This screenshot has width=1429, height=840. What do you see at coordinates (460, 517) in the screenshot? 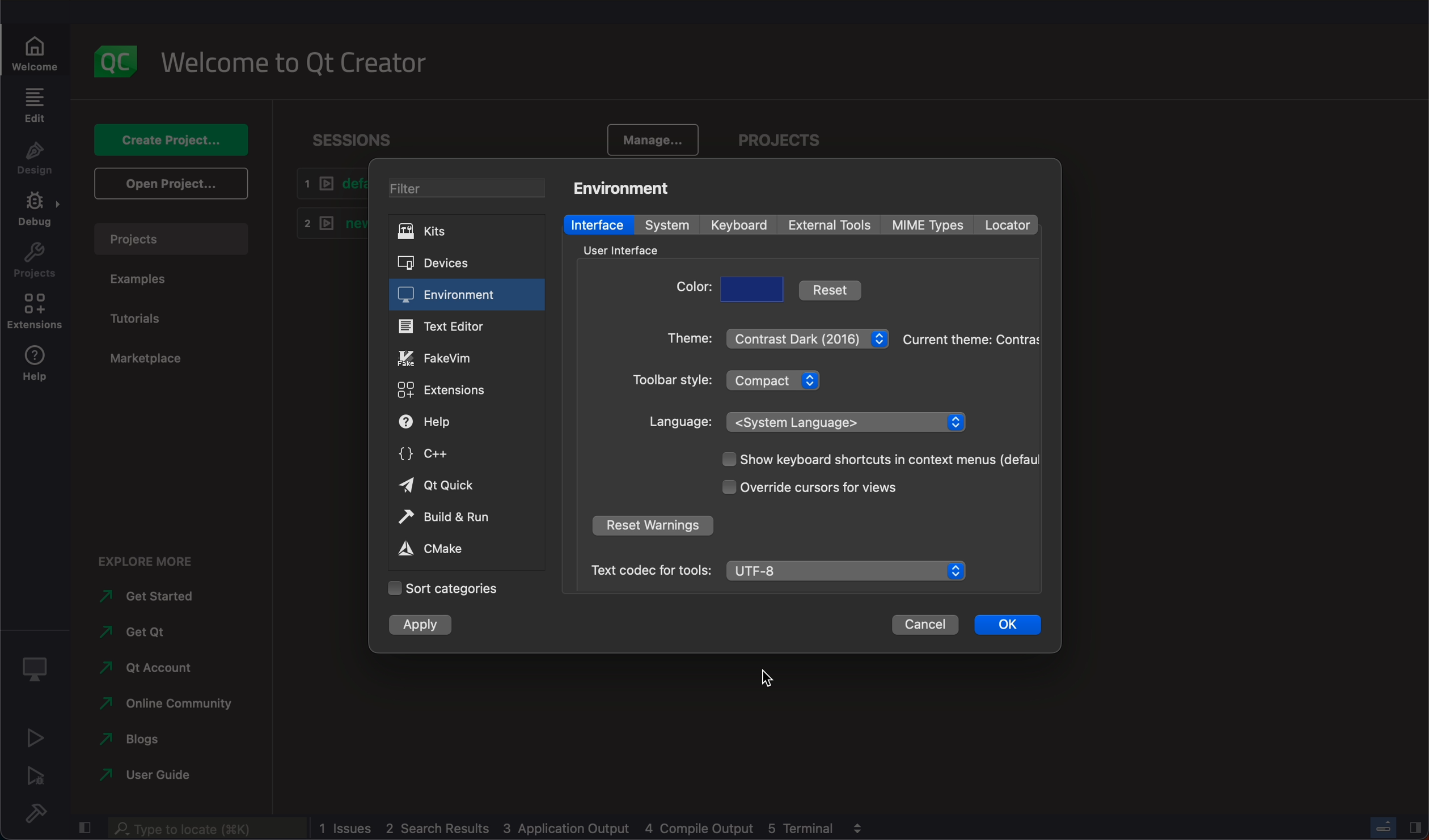
I see `build and run` at bounding box center [460, 517].